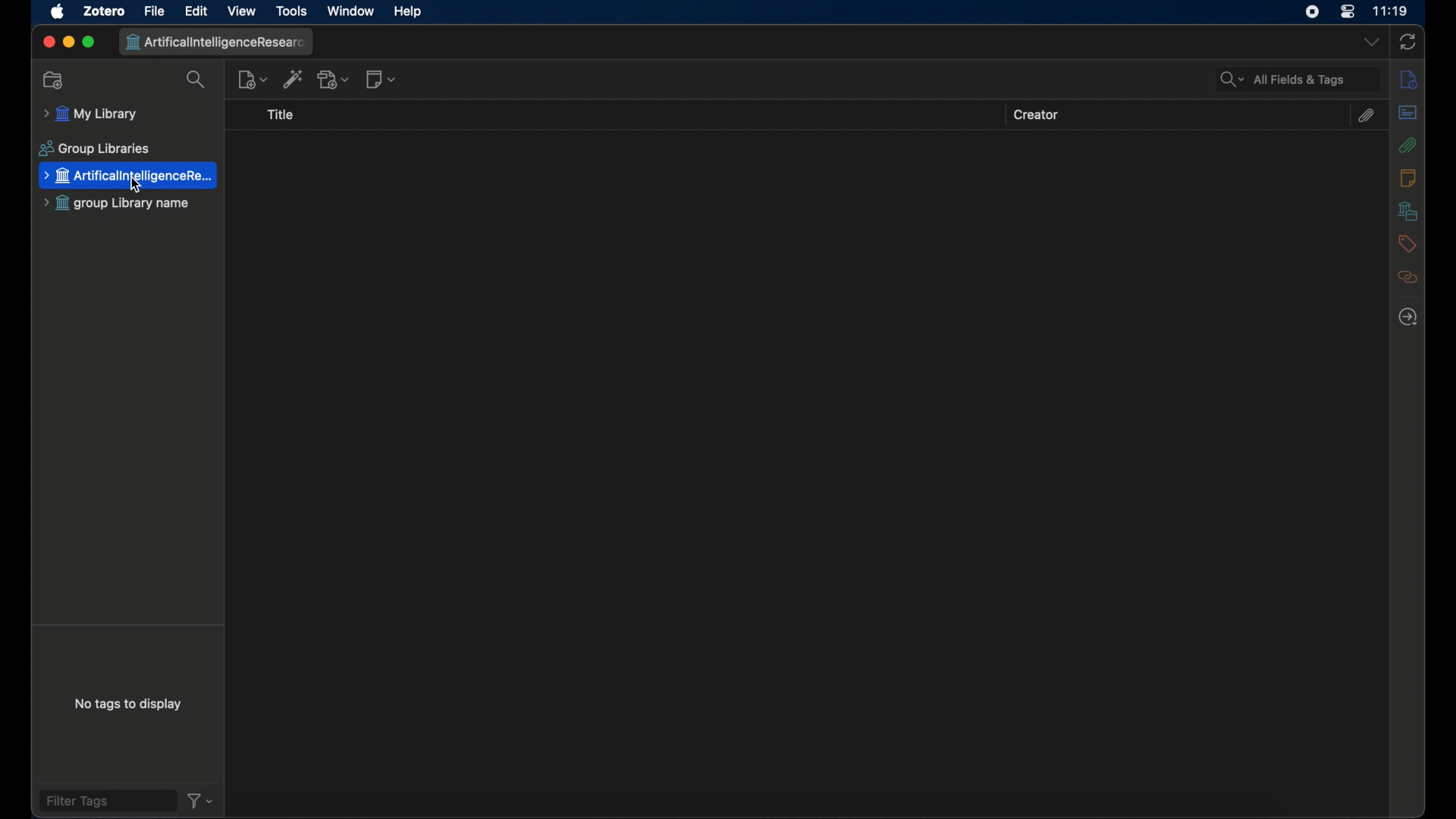 The image size is (1456, 819). I want to click on zotero, so click(104, 10).